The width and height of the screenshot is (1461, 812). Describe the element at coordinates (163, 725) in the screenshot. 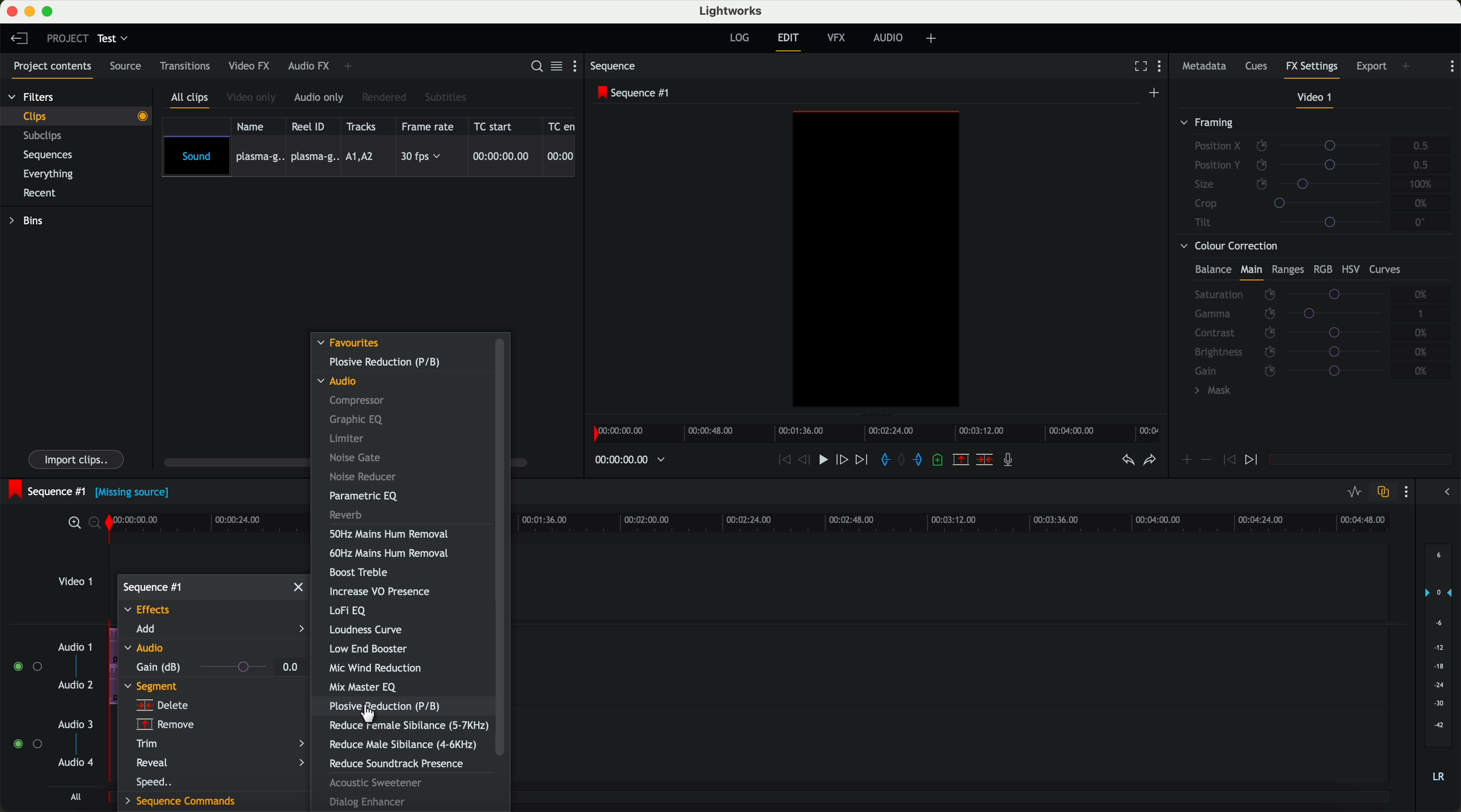

I see `remove` at that location.